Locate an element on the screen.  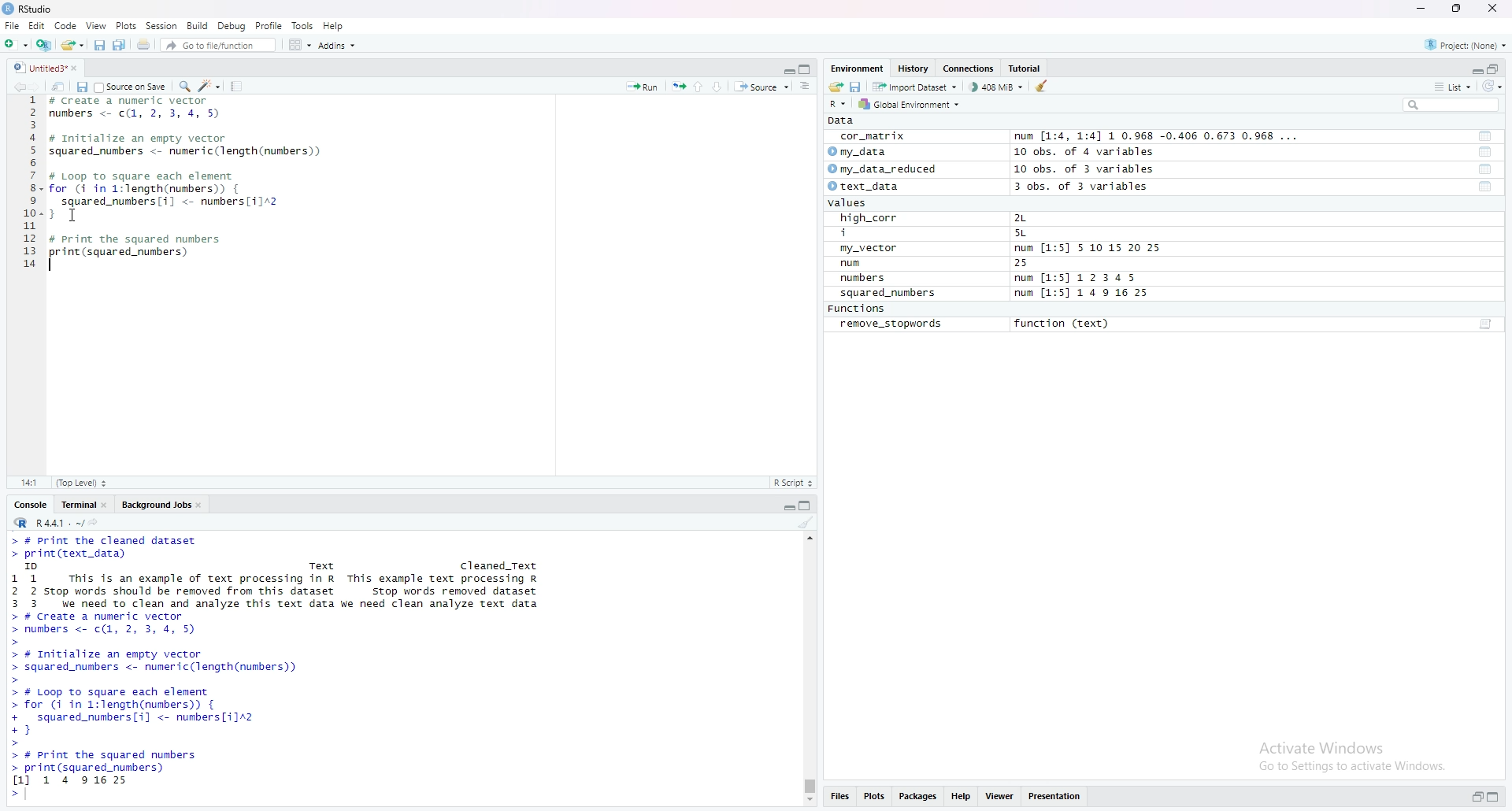
Activate Windows
Go to Settings to activate Windows. is located at coordinates (1354, 754).